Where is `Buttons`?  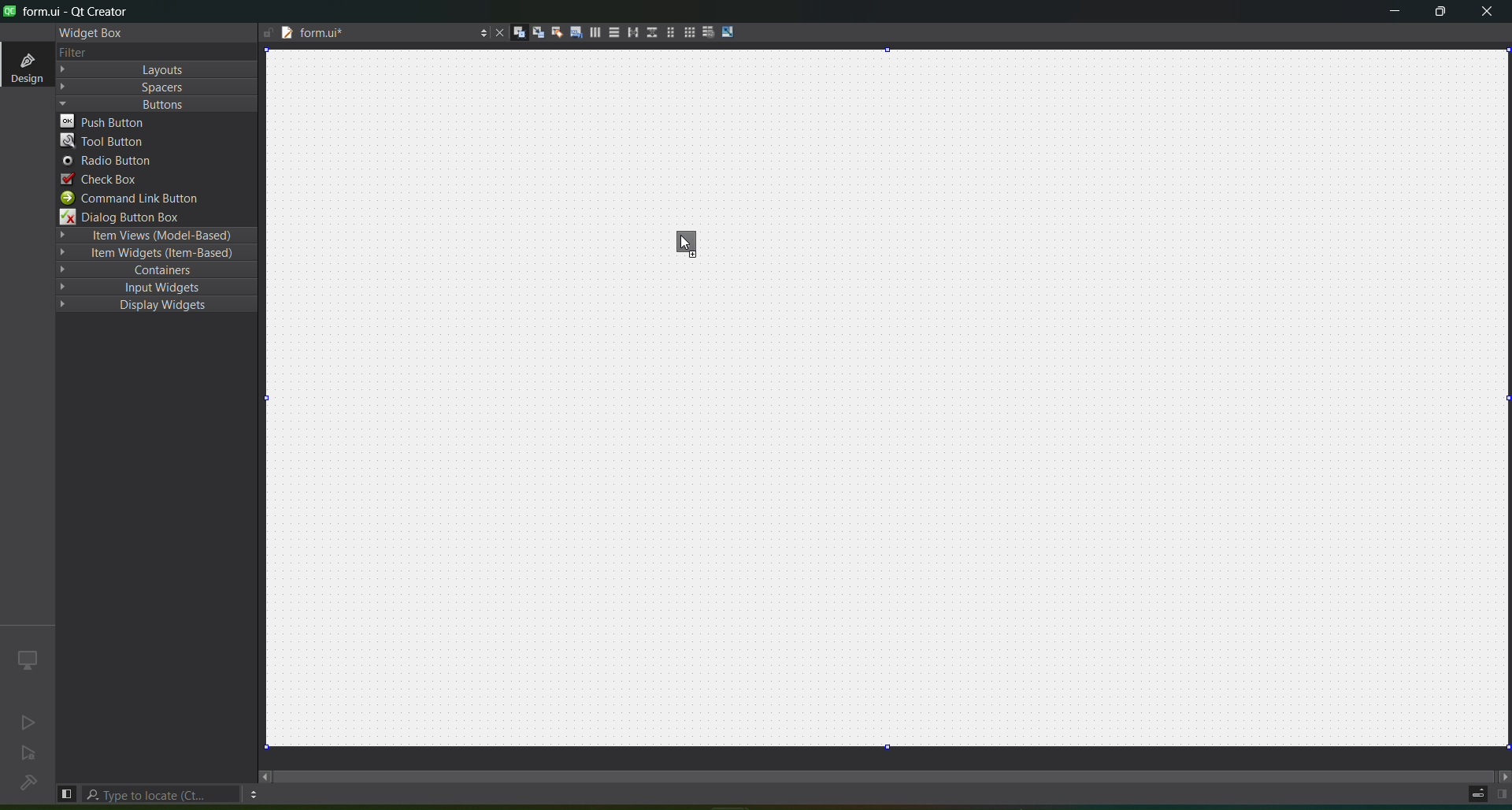
Buttons is located at coordinates (155, 104).